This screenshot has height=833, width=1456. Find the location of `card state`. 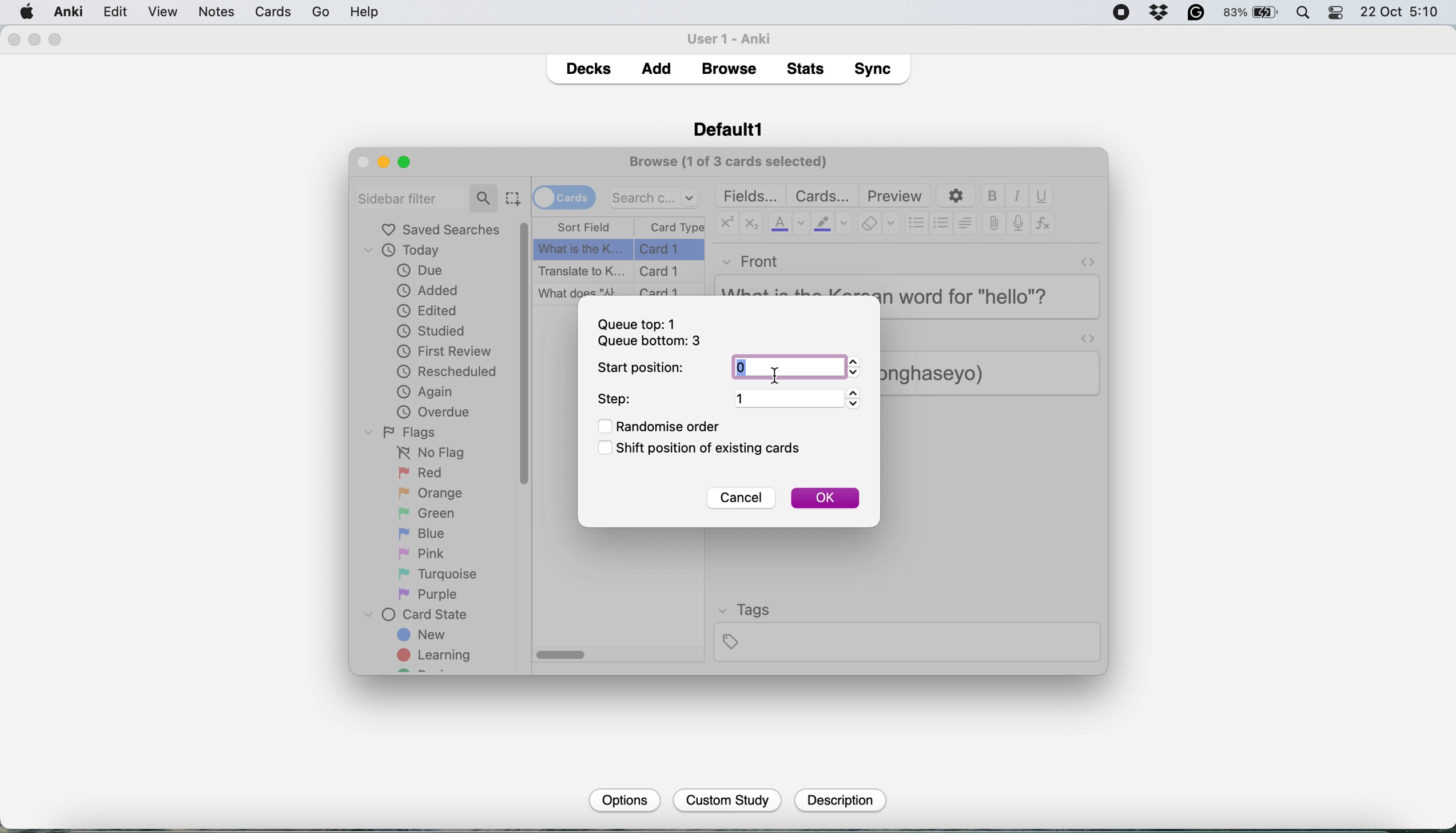

card state is located at coordinates (421, 614).